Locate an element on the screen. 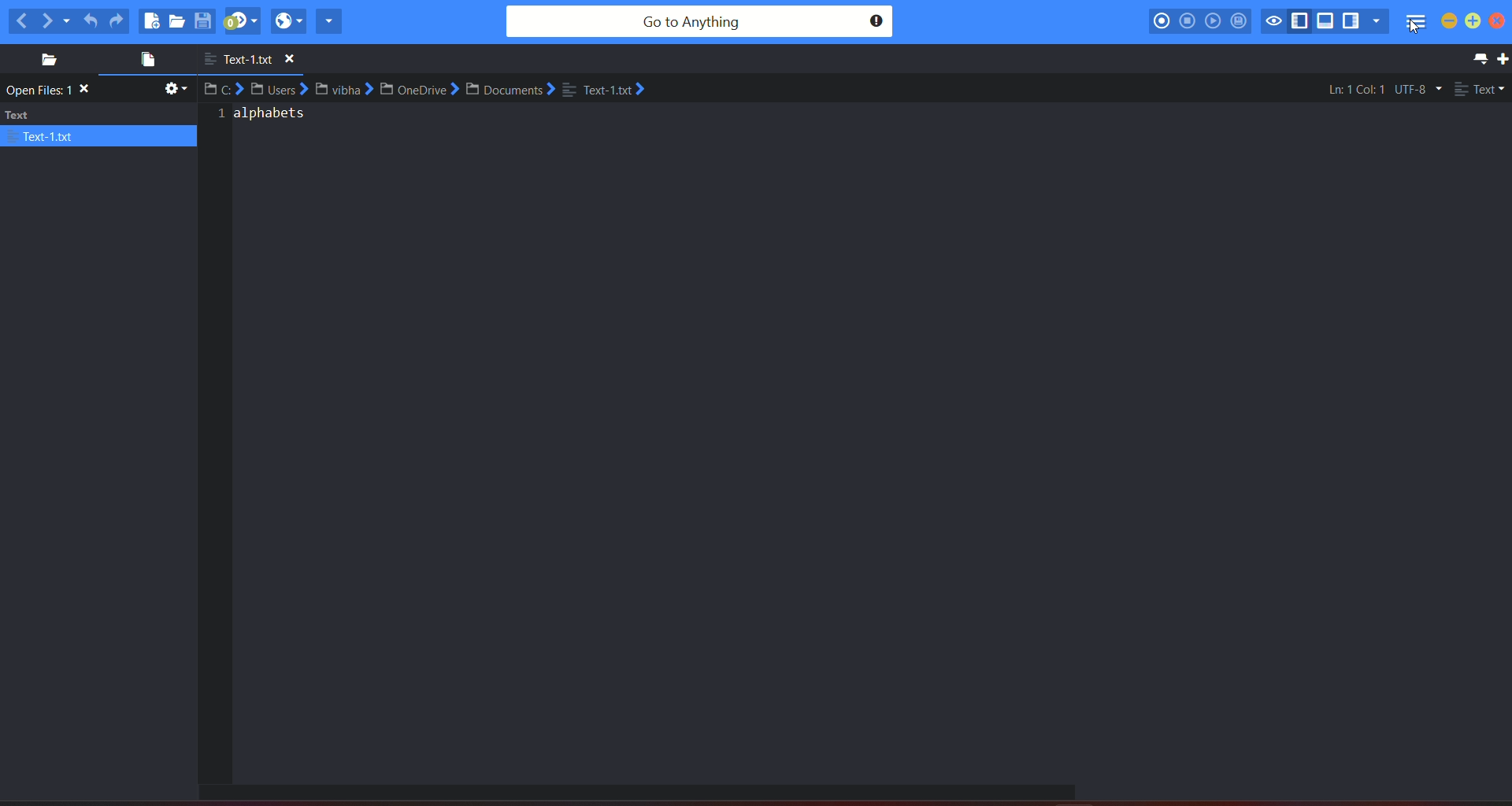 This screenshot has width=1512, height=806. save file is located at coordinates (205, 20).